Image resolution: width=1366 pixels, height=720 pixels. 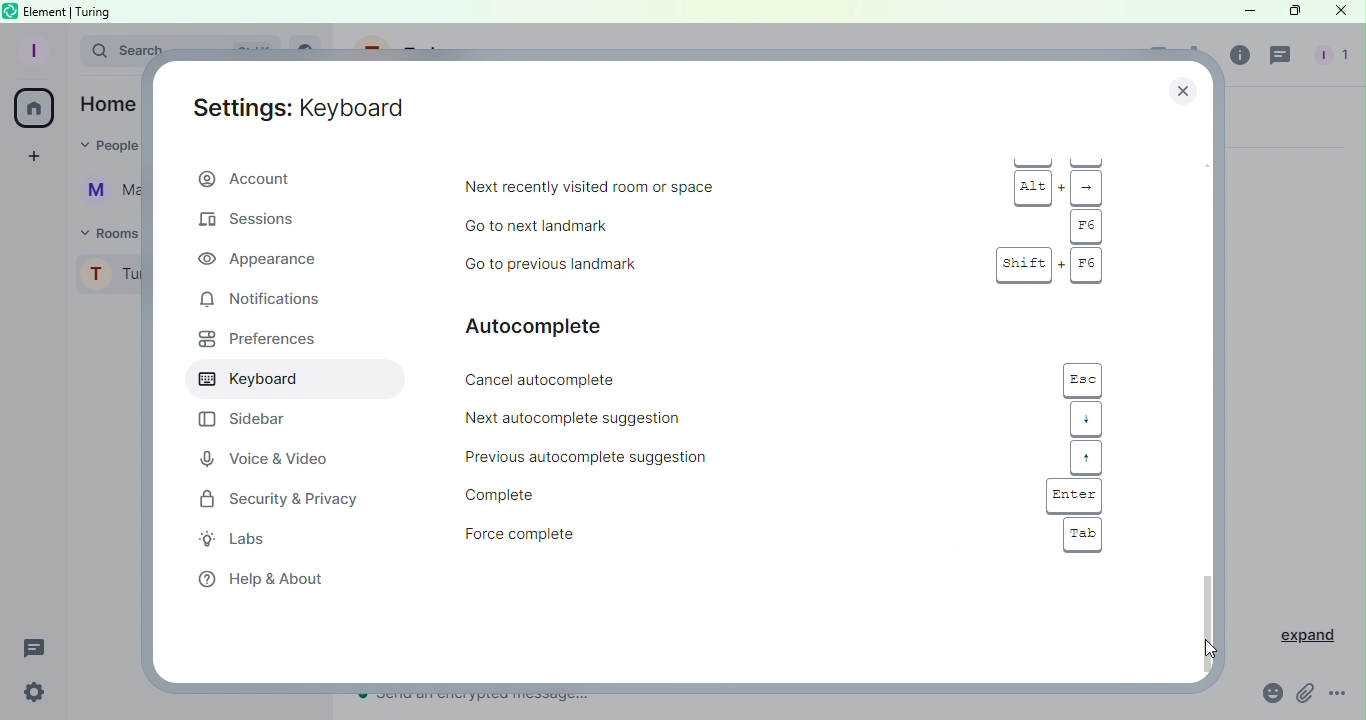 I want to click on Autocomplete, so click(x=566, y=325).